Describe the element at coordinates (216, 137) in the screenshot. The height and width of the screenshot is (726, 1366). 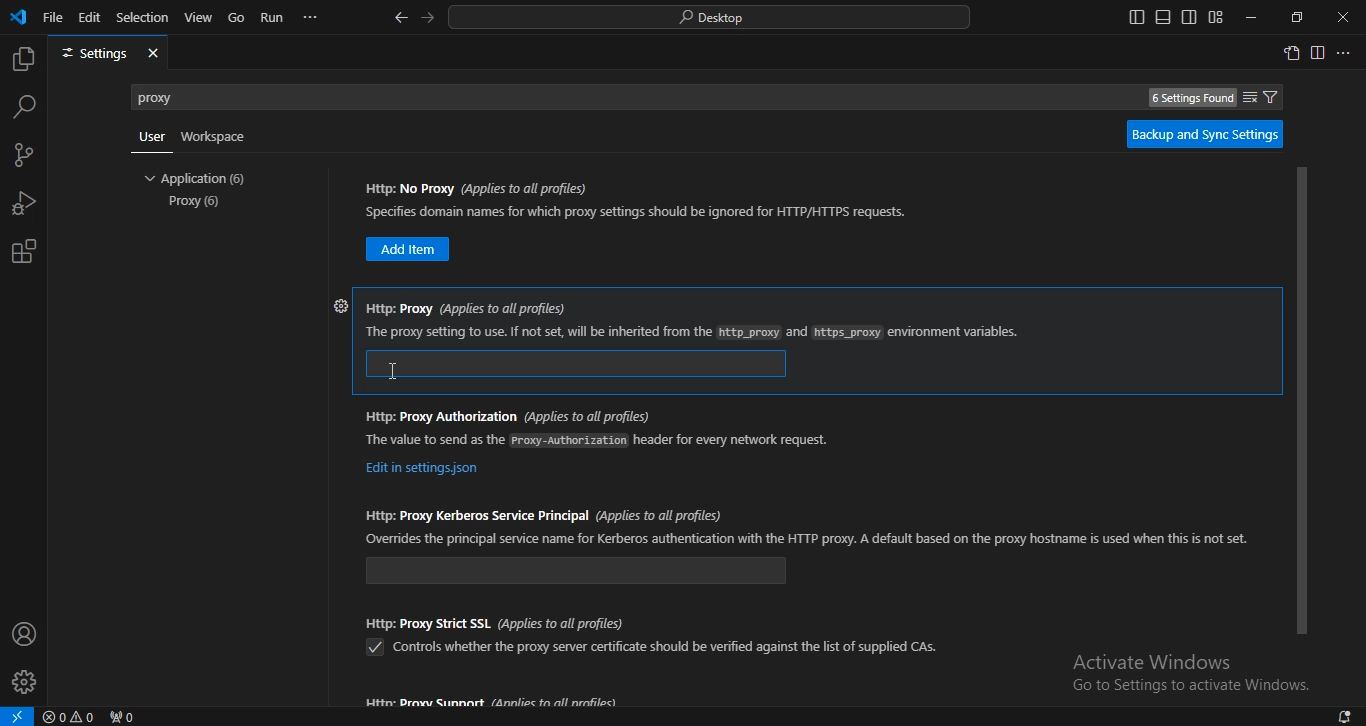
I see `Workspace` at that location.